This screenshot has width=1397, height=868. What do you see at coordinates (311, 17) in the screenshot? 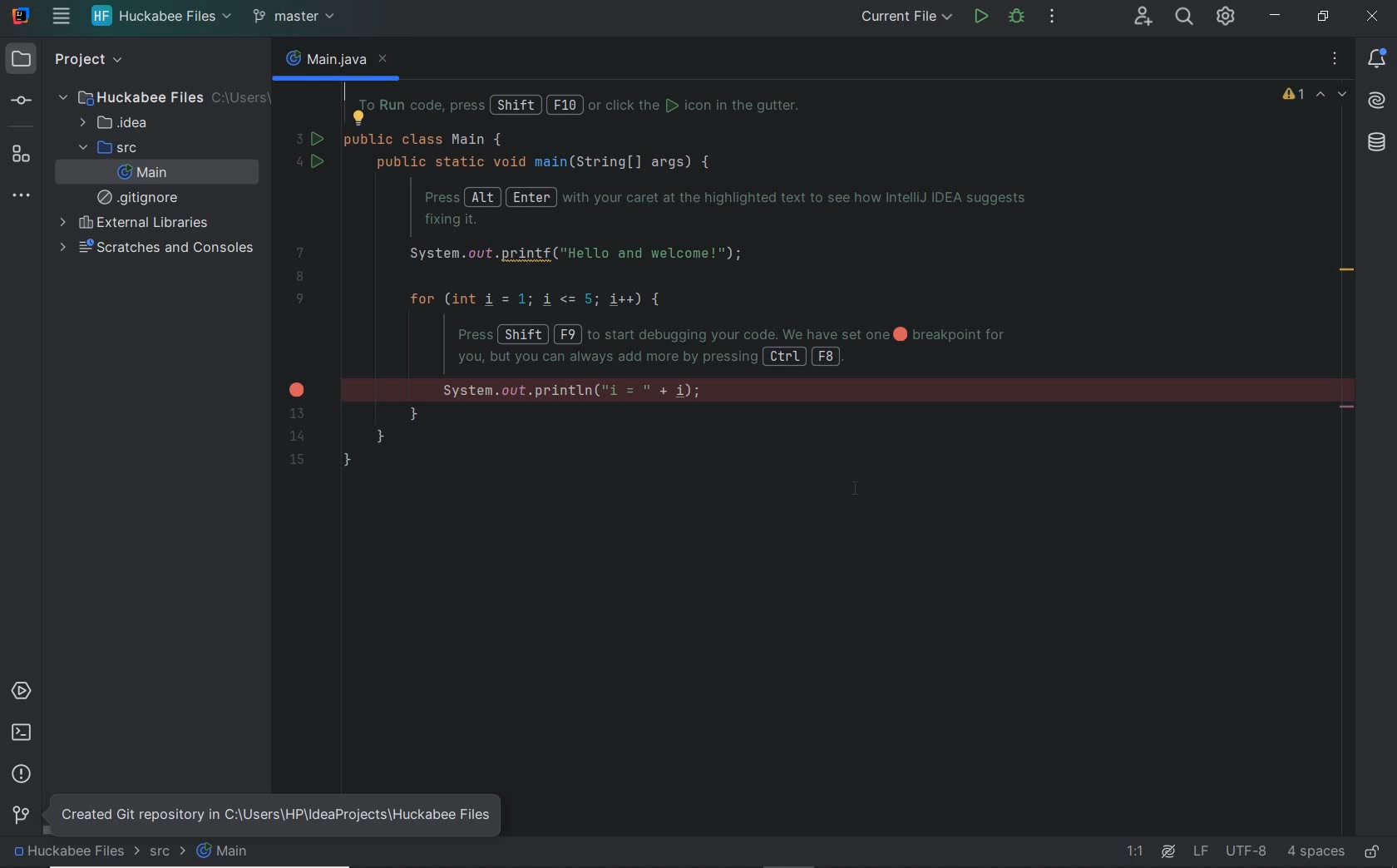
I see `version control` at bounding box center [311, 17].